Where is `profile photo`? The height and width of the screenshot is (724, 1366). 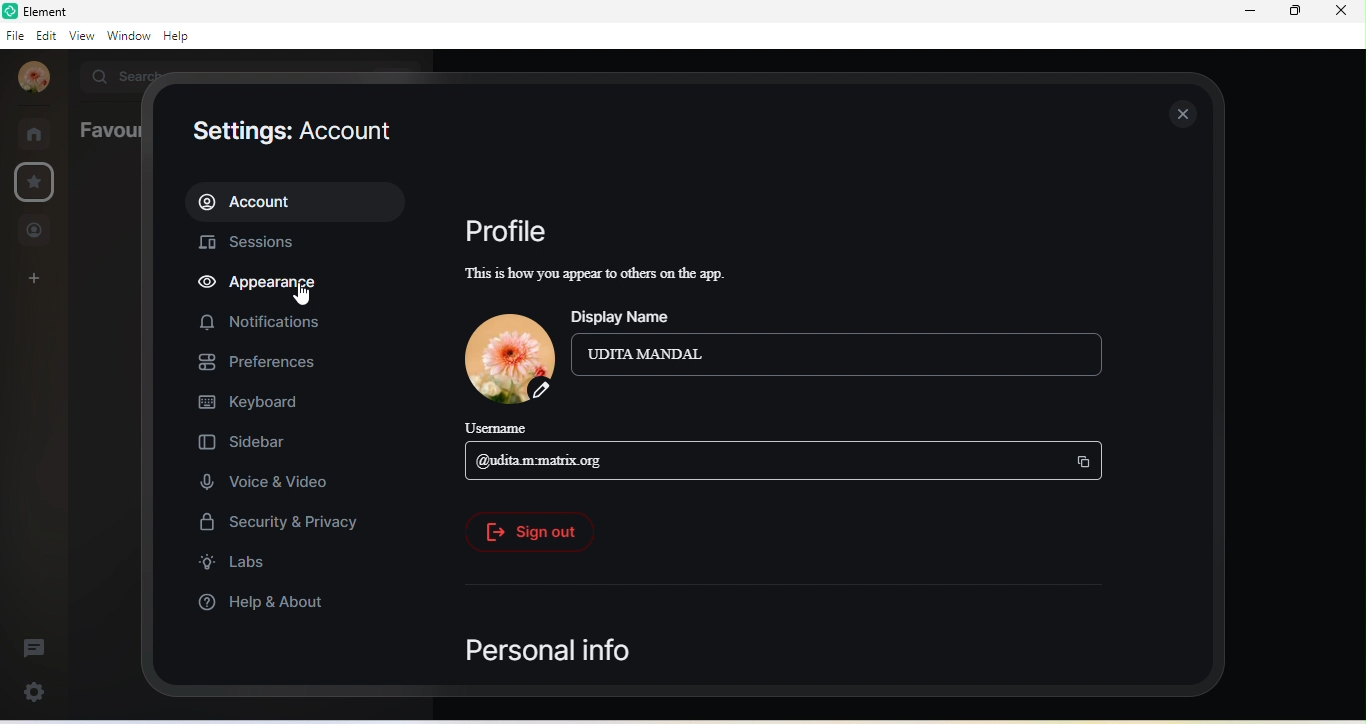 profile photo is located at coordinates (504, 356).